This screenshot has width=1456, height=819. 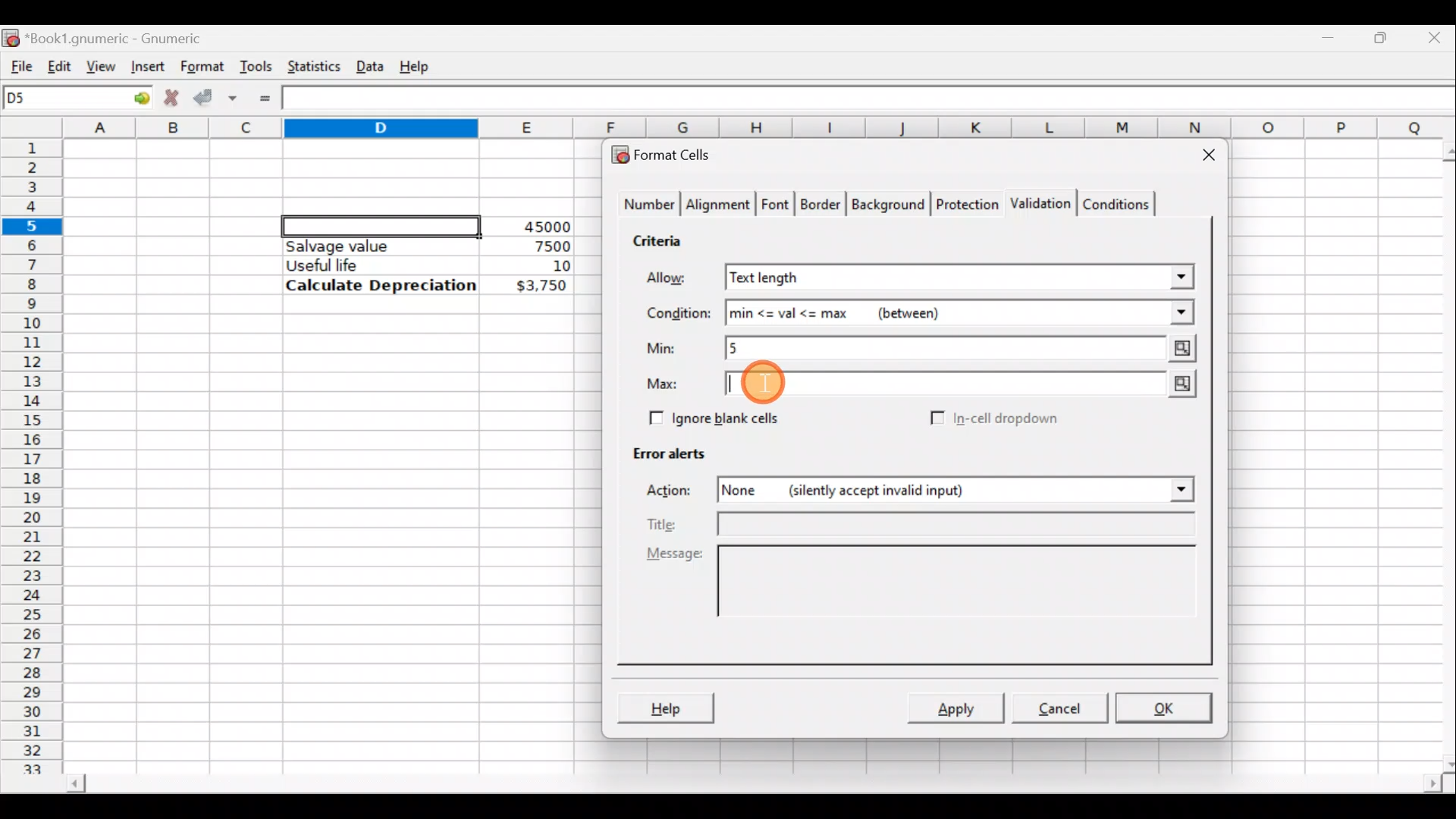 I want to click on In-cell dropdown, so click(x=1000, y=418).